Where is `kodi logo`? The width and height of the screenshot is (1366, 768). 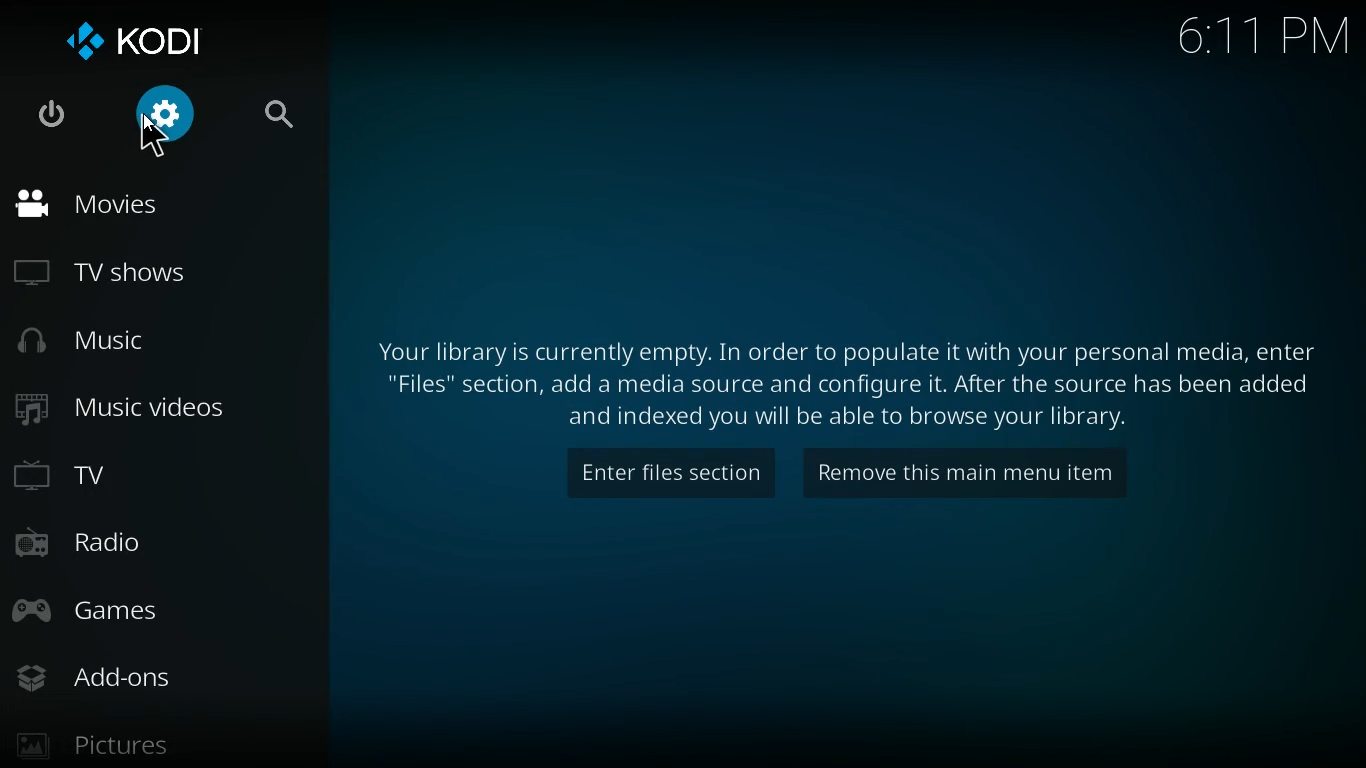 kodi logo is located at coordinates (135, 42).